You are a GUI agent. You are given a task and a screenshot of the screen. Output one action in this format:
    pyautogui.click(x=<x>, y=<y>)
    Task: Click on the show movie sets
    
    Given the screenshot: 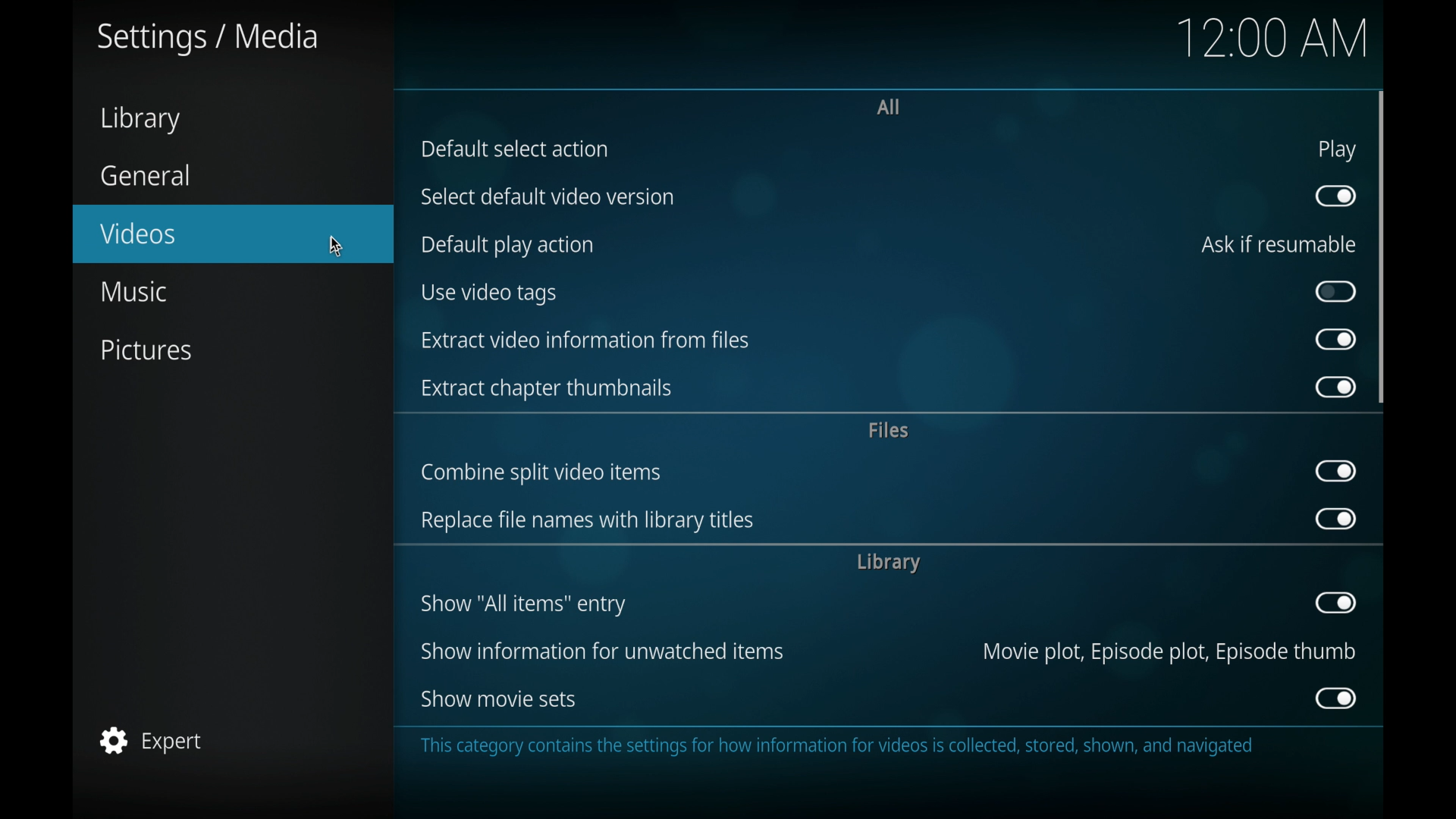 What is the action you would take?
    pyautogui.click(x=499, y=698)
    